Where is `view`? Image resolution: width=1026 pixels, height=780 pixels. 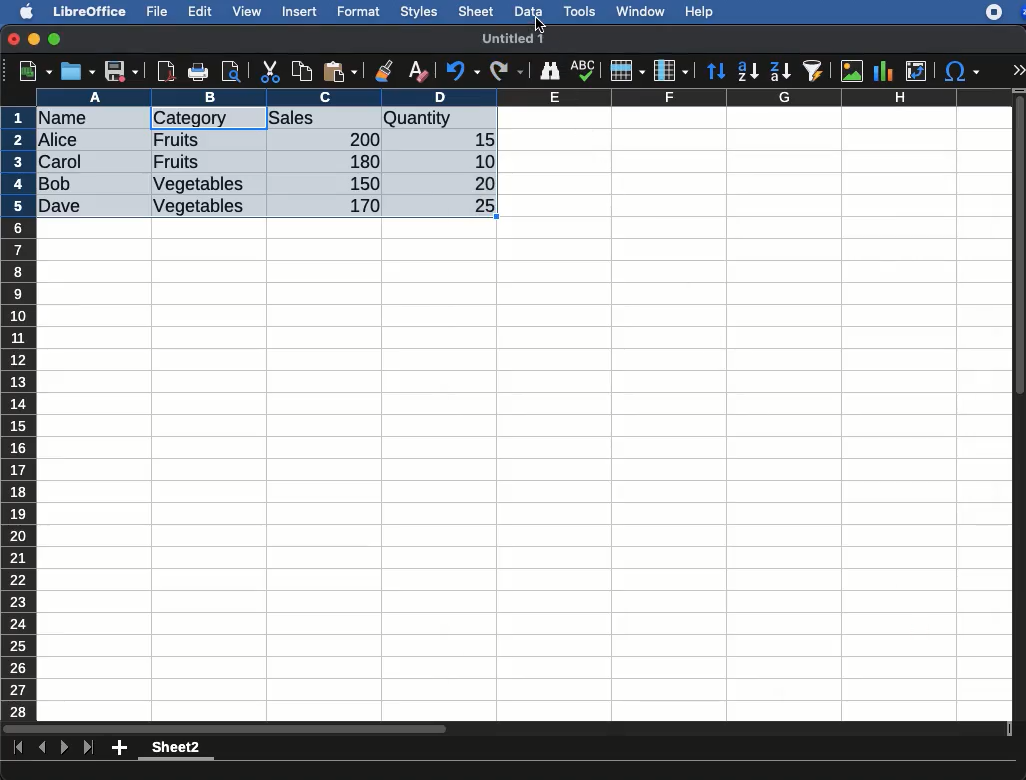 view is located at coordinates (247, 11).